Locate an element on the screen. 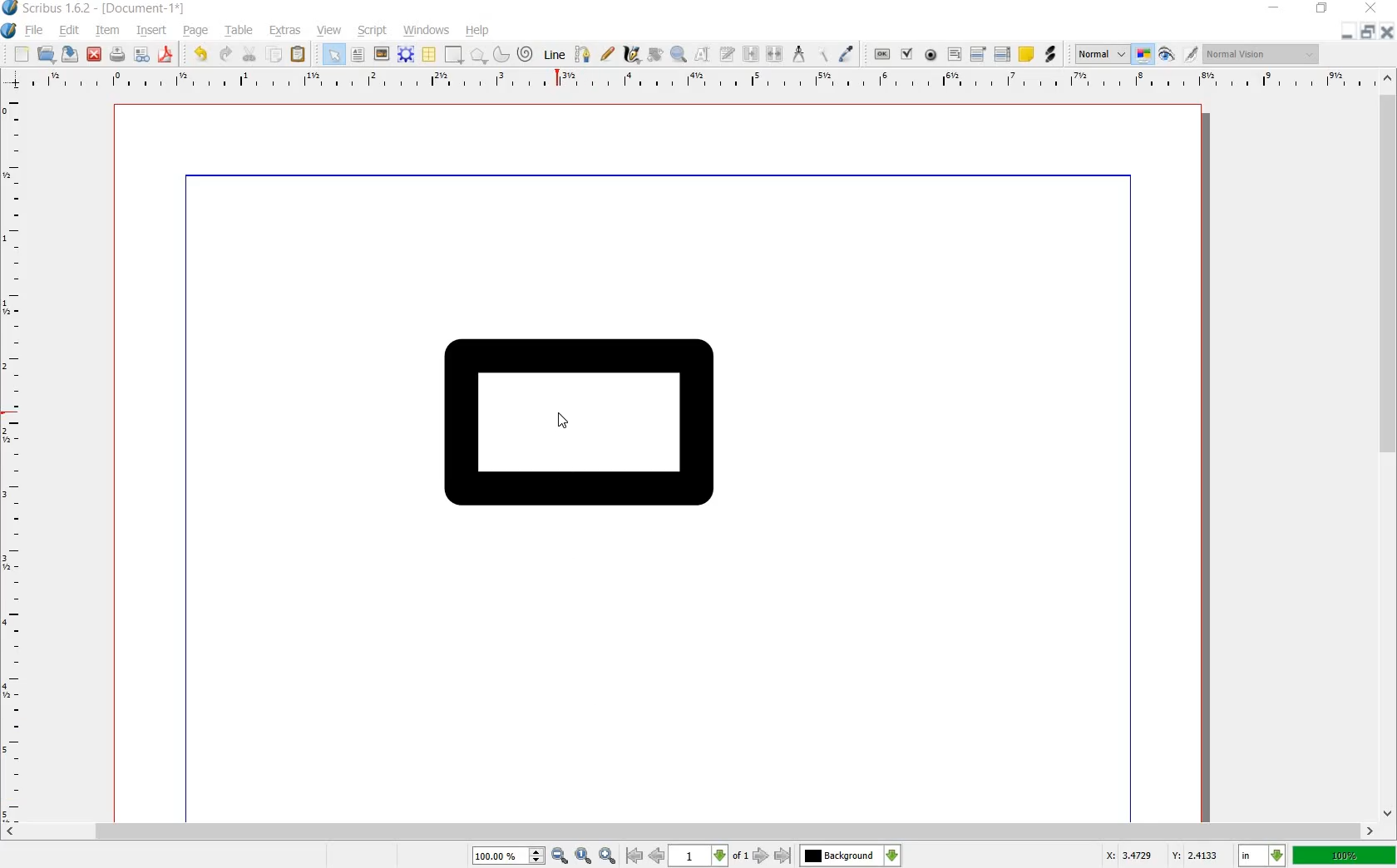 Image resolution: width=1397 pixels, height=868 pixels. save as pdf is located at coordinates (166, 56).